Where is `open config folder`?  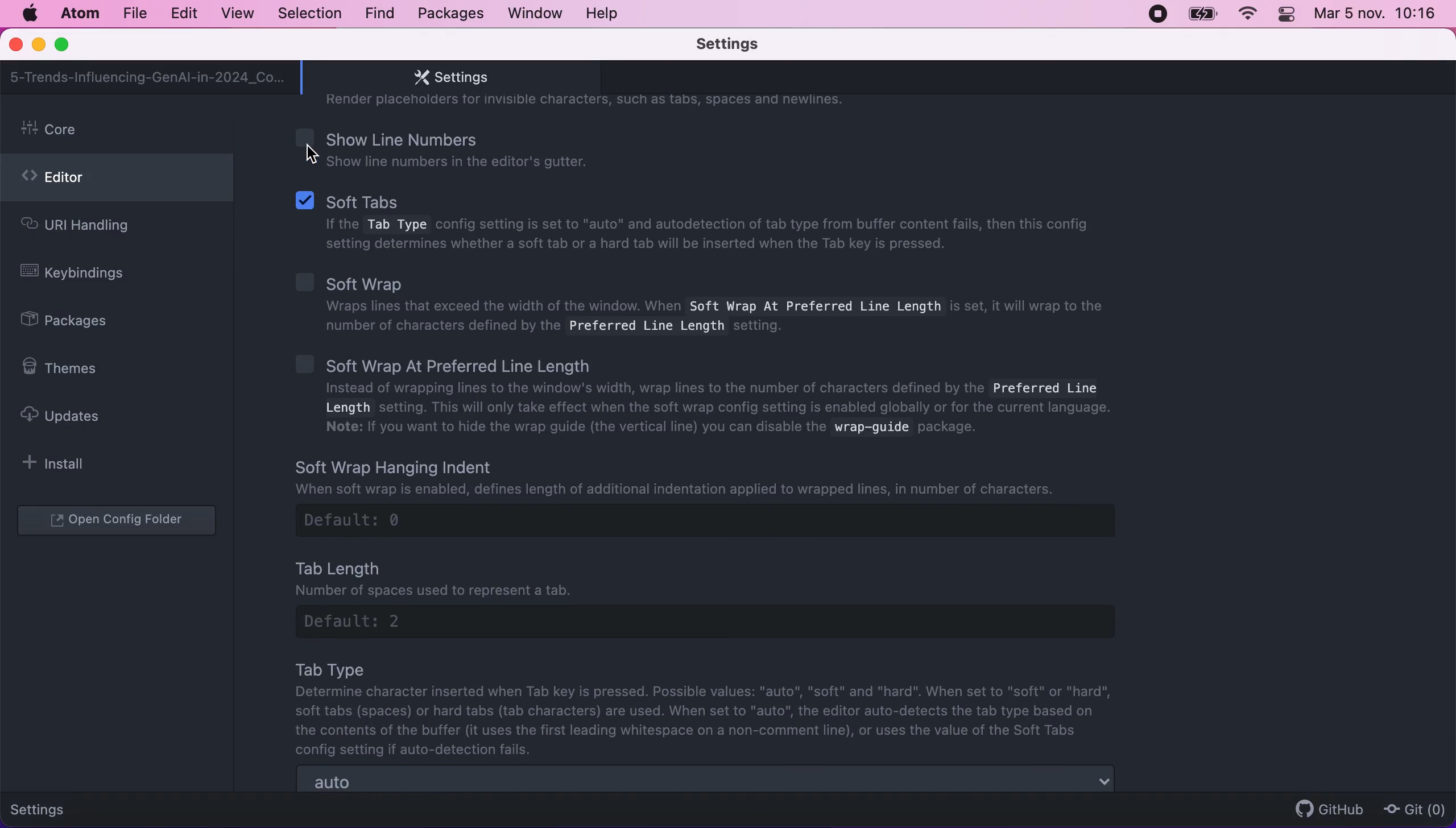
open config folder is located at coordinates (119, 521).